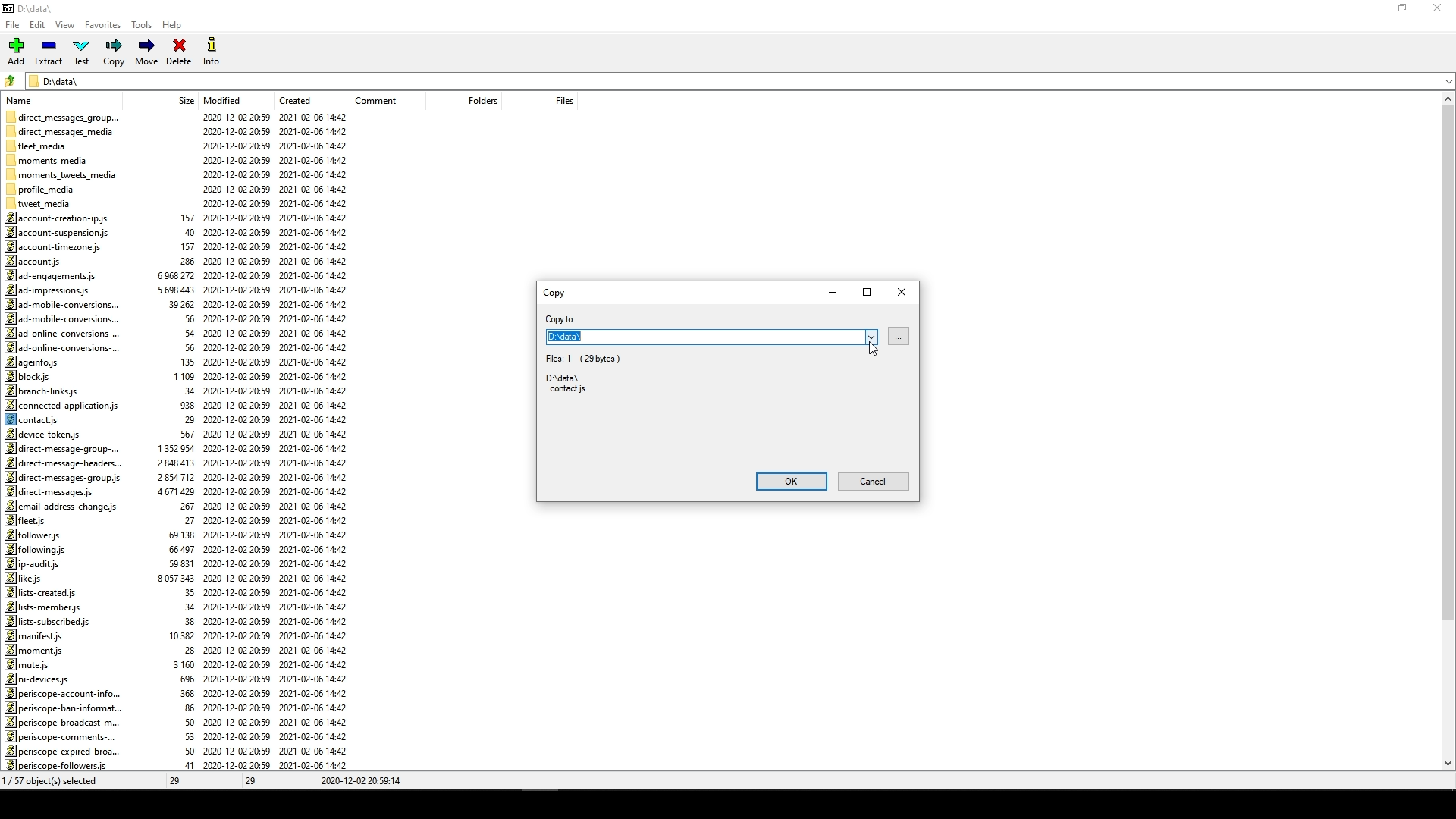 Image resolution: width=1456 pixels, height=819 pixels. Describe the element at coordinates (49, 275) in the screenshot. I see `ad-engagements.js` at that location.